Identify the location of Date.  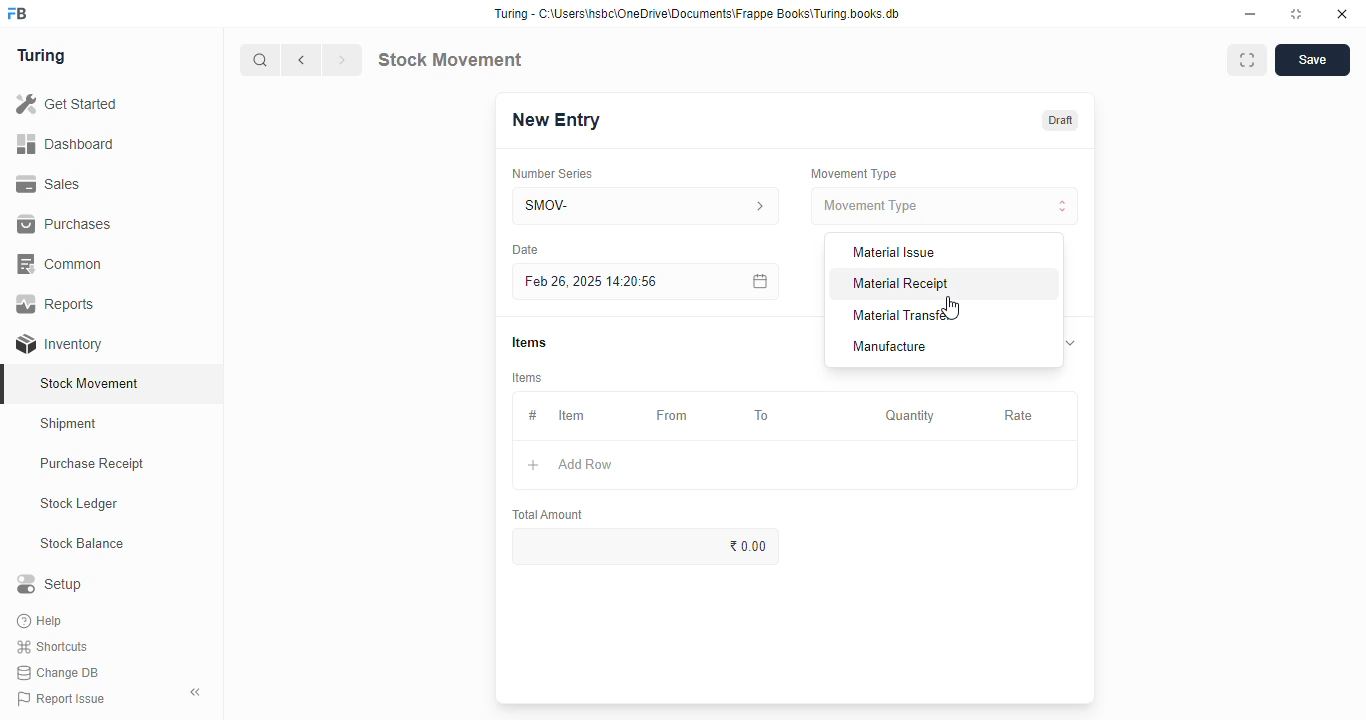
(525, 249).